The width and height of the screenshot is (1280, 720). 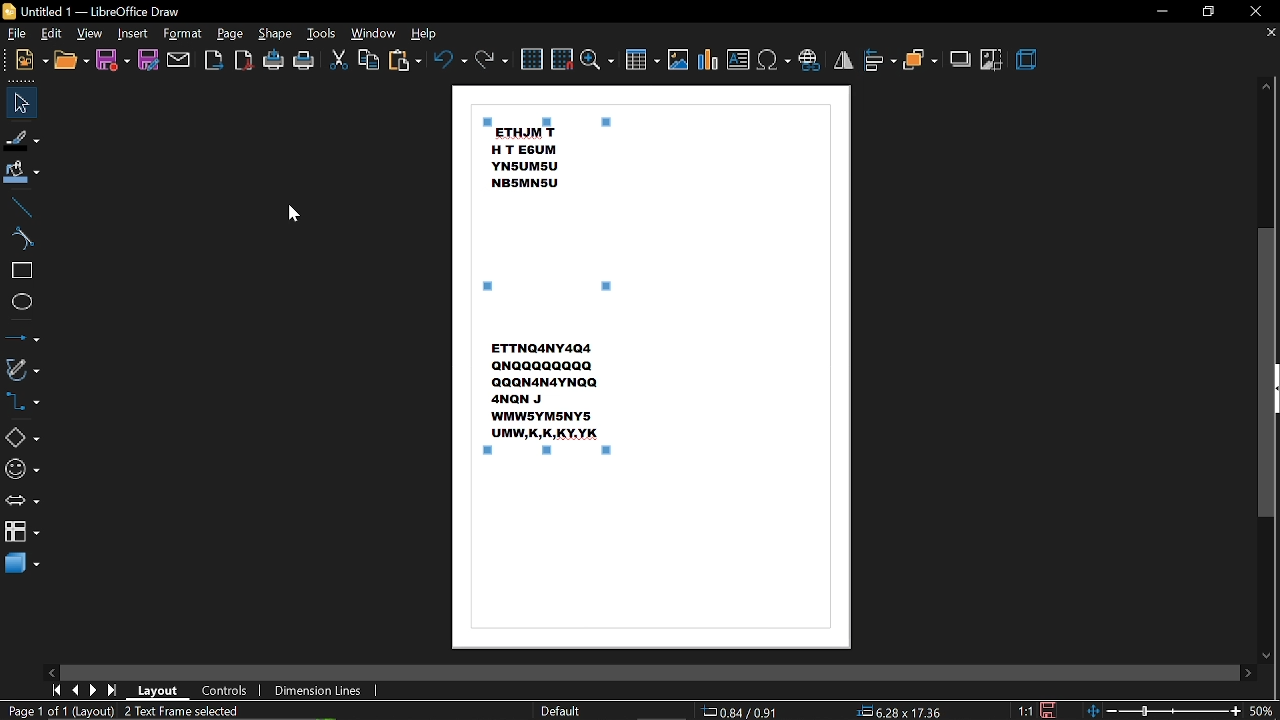 What do you see at coordinates (22, 502) in the screenshot?
I see `arrows` at bounding box center [22, 502].